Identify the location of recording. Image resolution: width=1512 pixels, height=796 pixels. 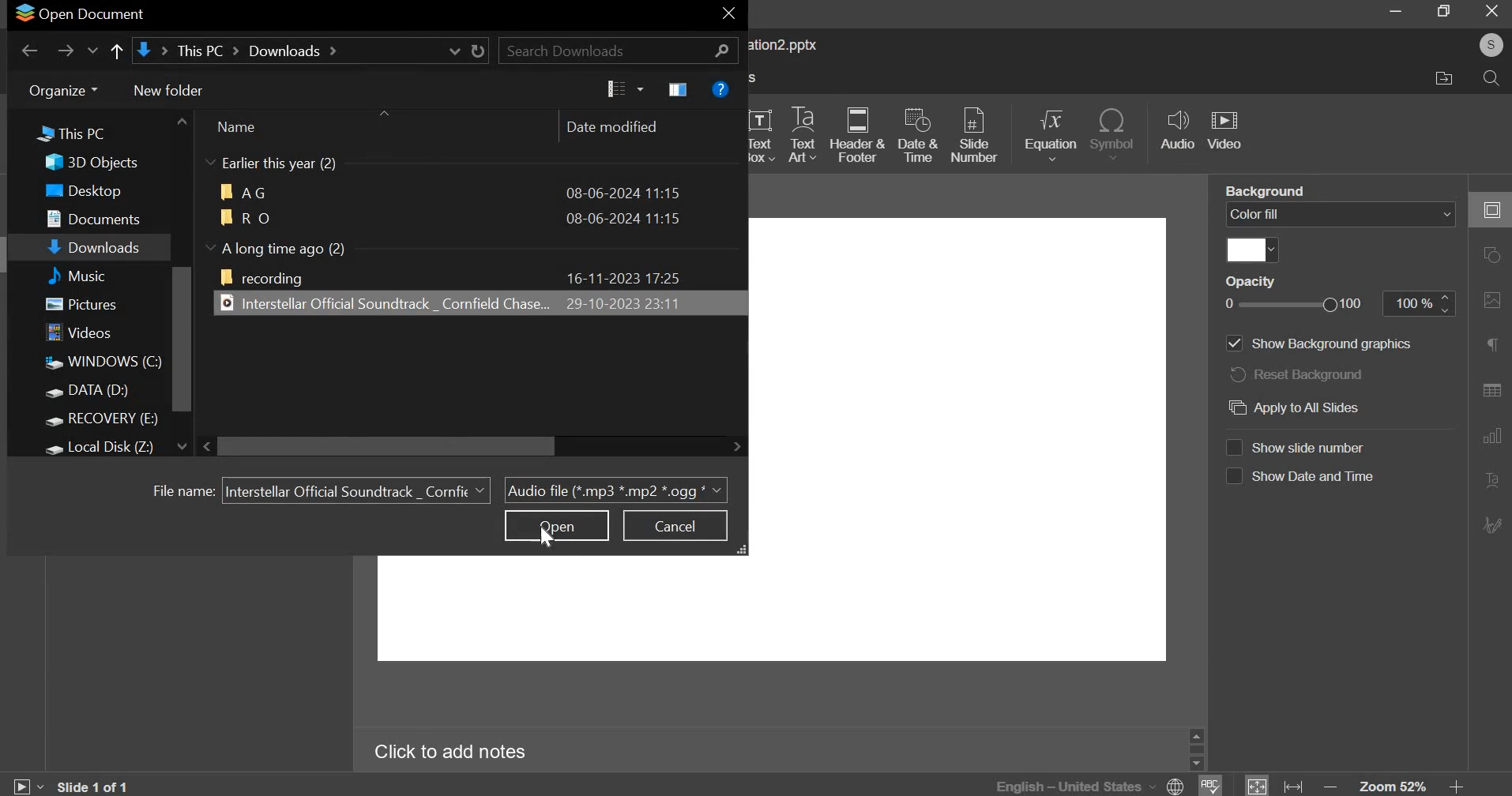
(262, 277).